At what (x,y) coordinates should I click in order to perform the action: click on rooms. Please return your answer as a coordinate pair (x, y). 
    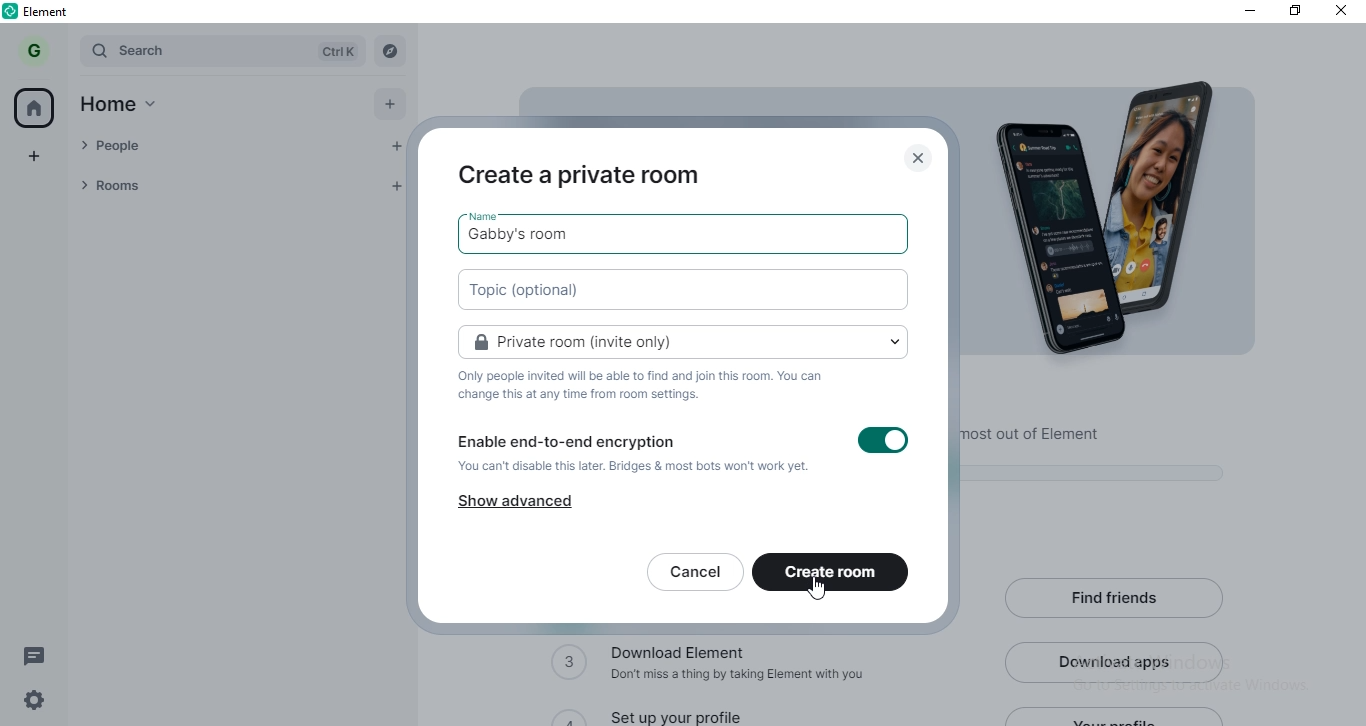
    Looking at the image, I should click on (220, 185).